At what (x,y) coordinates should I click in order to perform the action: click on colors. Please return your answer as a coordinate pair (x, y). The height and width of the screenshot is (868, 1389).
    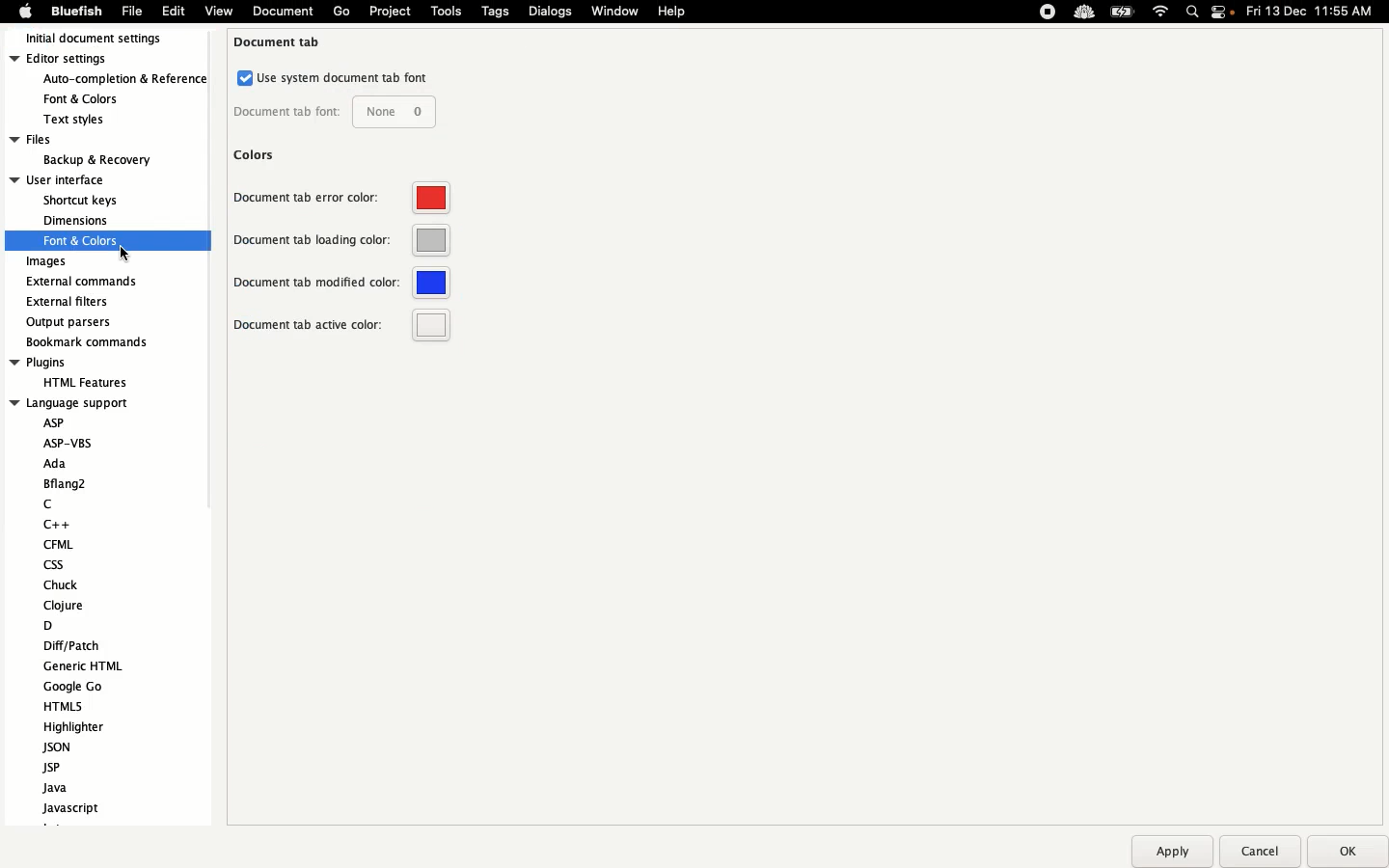
    Looking at the image, I should click on (259, 154).